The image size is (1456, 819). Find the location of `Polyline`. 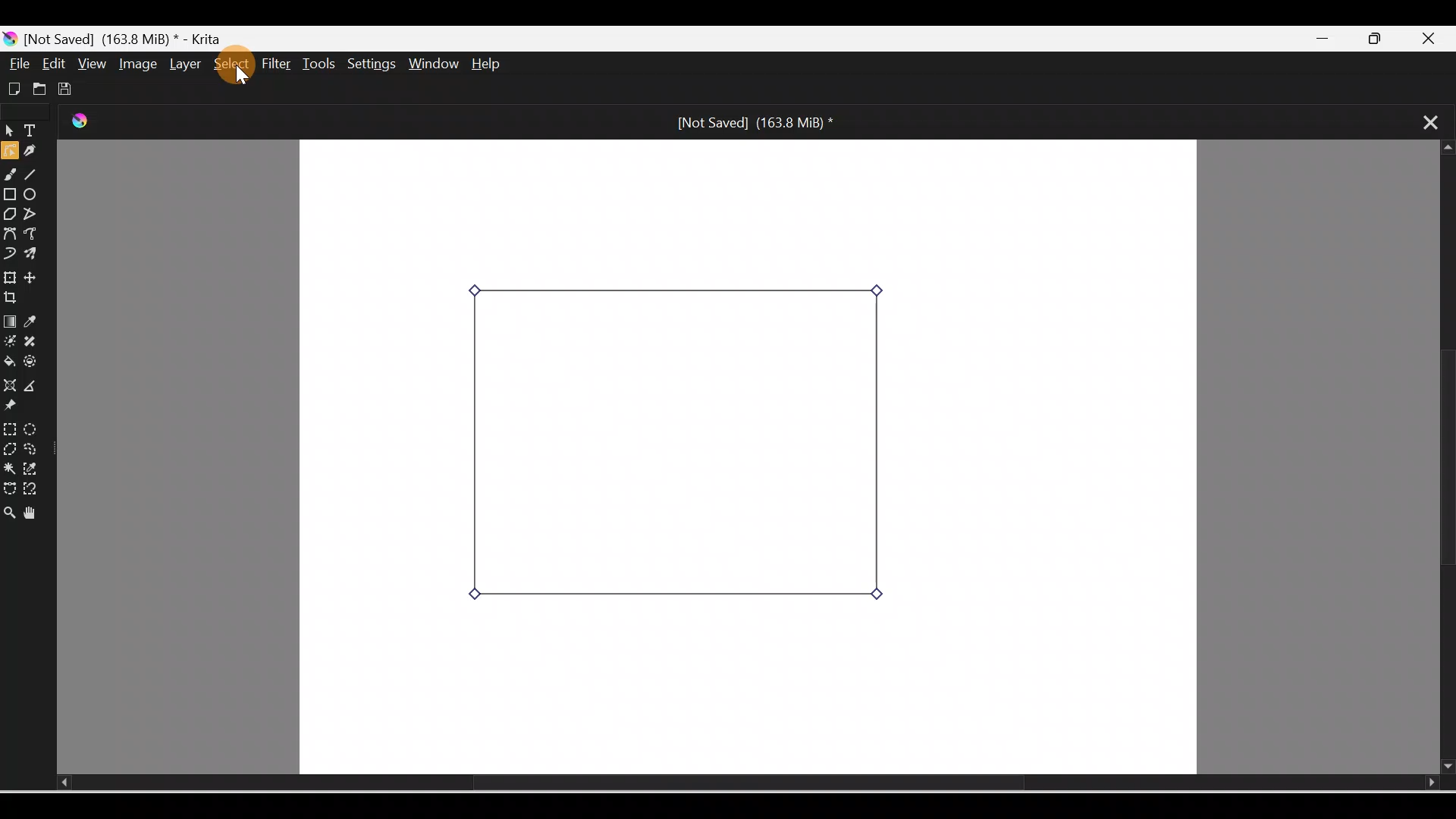

Polyline is located at coordinates (33, 213).